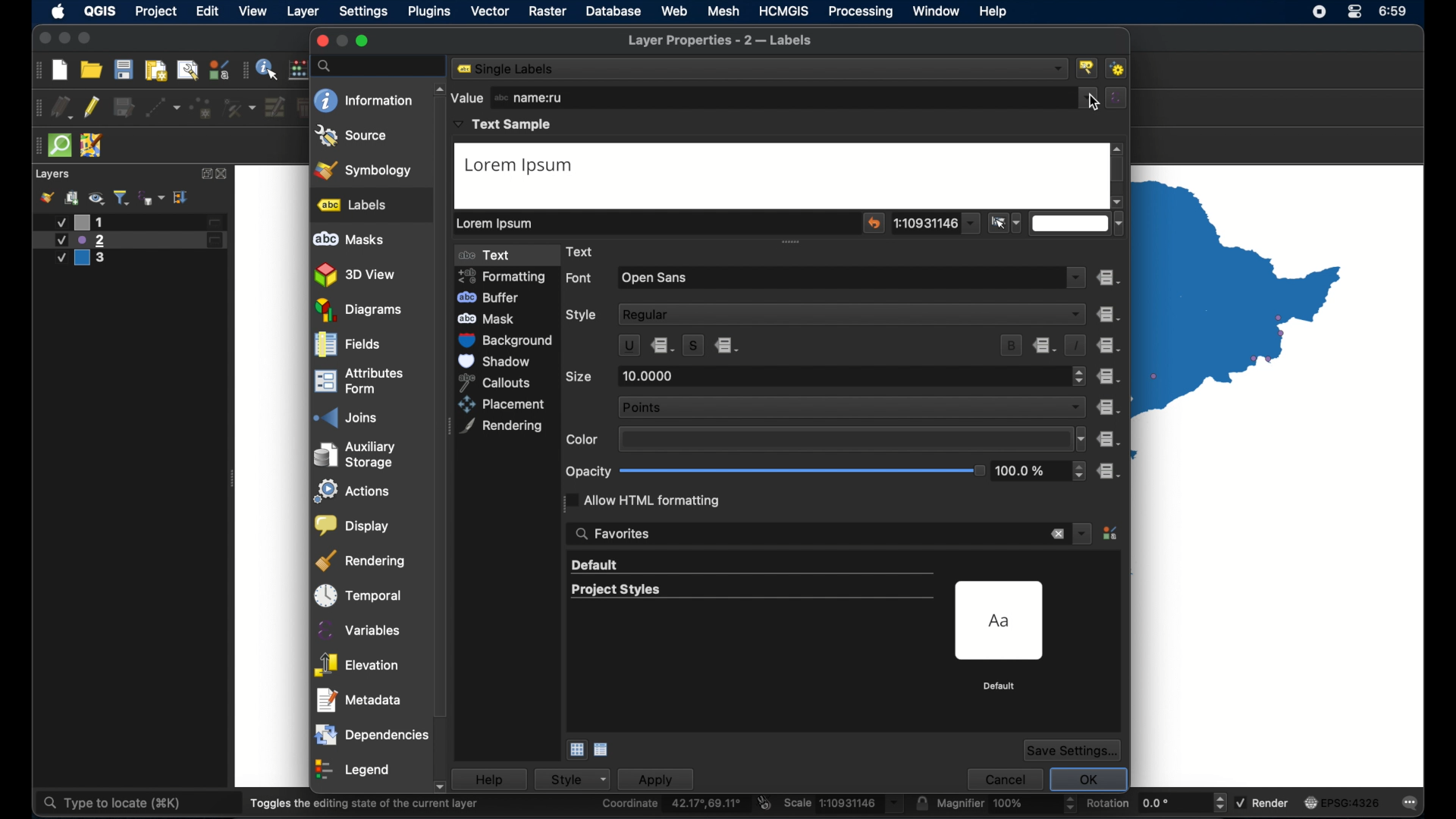 This screenshot has height=819, width=1456. Describe the element at coordinates (1046, 345) in the screenshot. I see `data defined override` at that location.